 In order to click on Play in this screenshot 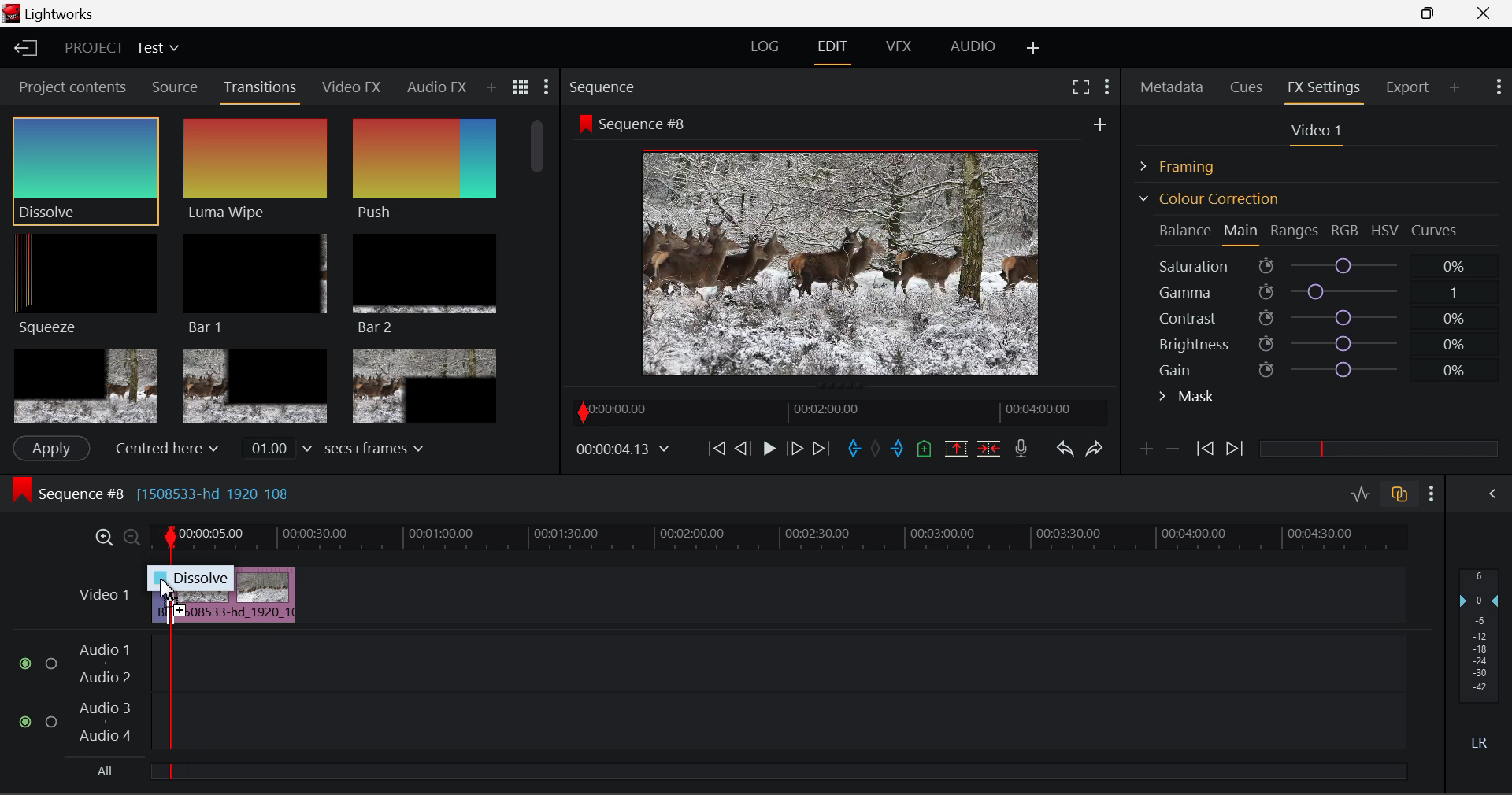, I will do `click(767, 449)`.